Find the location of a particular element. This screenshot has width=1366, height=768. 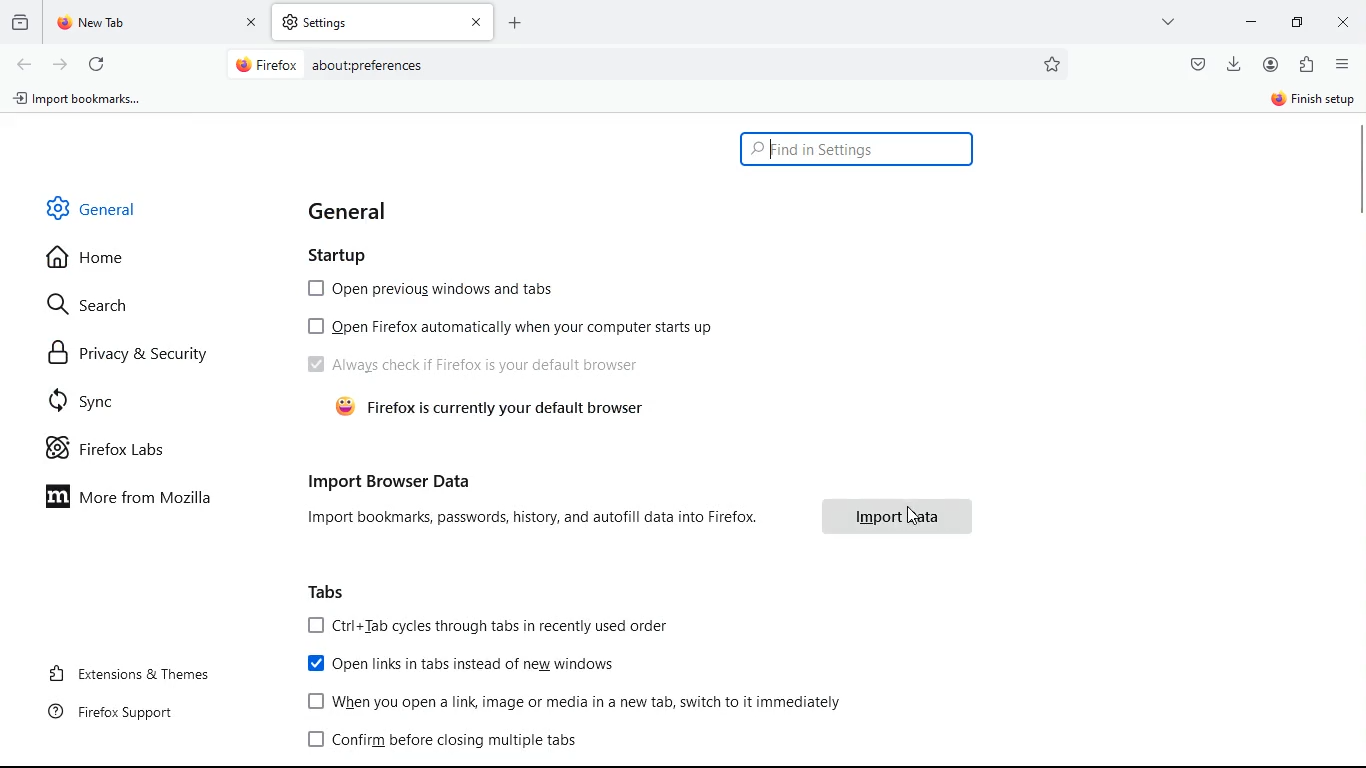

favorites is located at coordinates (1053, 64).